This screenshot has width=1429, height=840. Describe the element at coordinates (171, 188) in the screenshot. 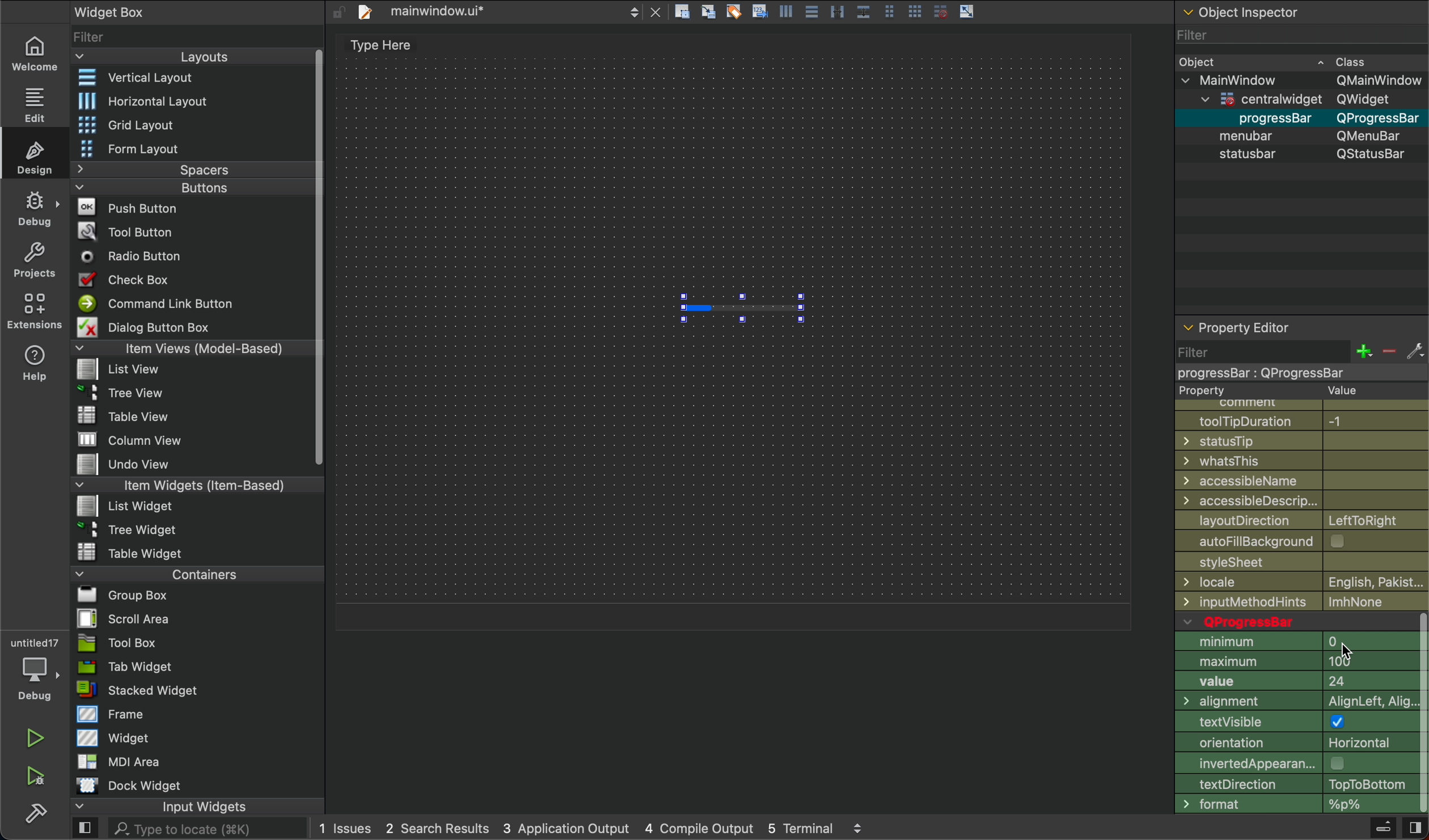

I see `Buttons` at that location.